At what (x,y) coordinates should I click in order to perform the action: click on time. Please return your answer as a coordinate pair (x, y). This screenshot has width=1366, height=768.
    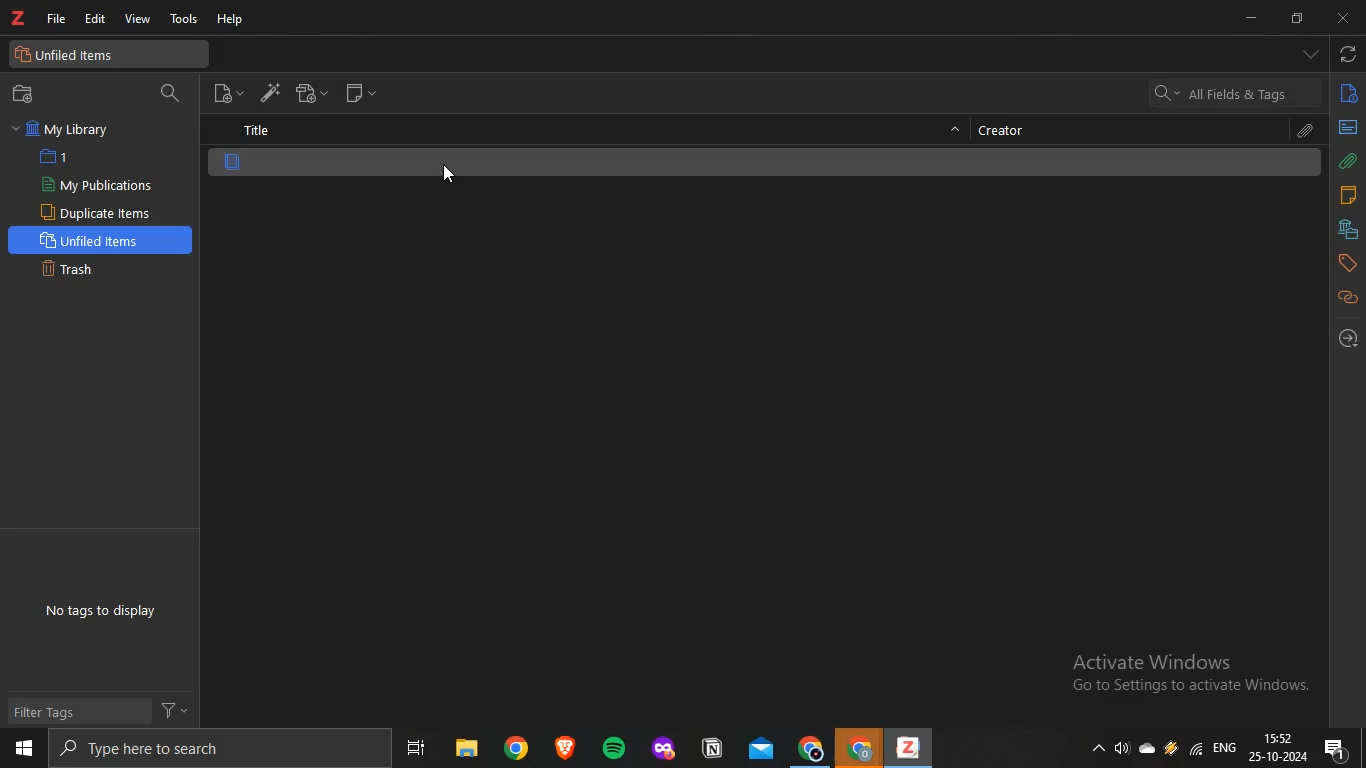
    Looking at the image, I should click on (1279, 737).